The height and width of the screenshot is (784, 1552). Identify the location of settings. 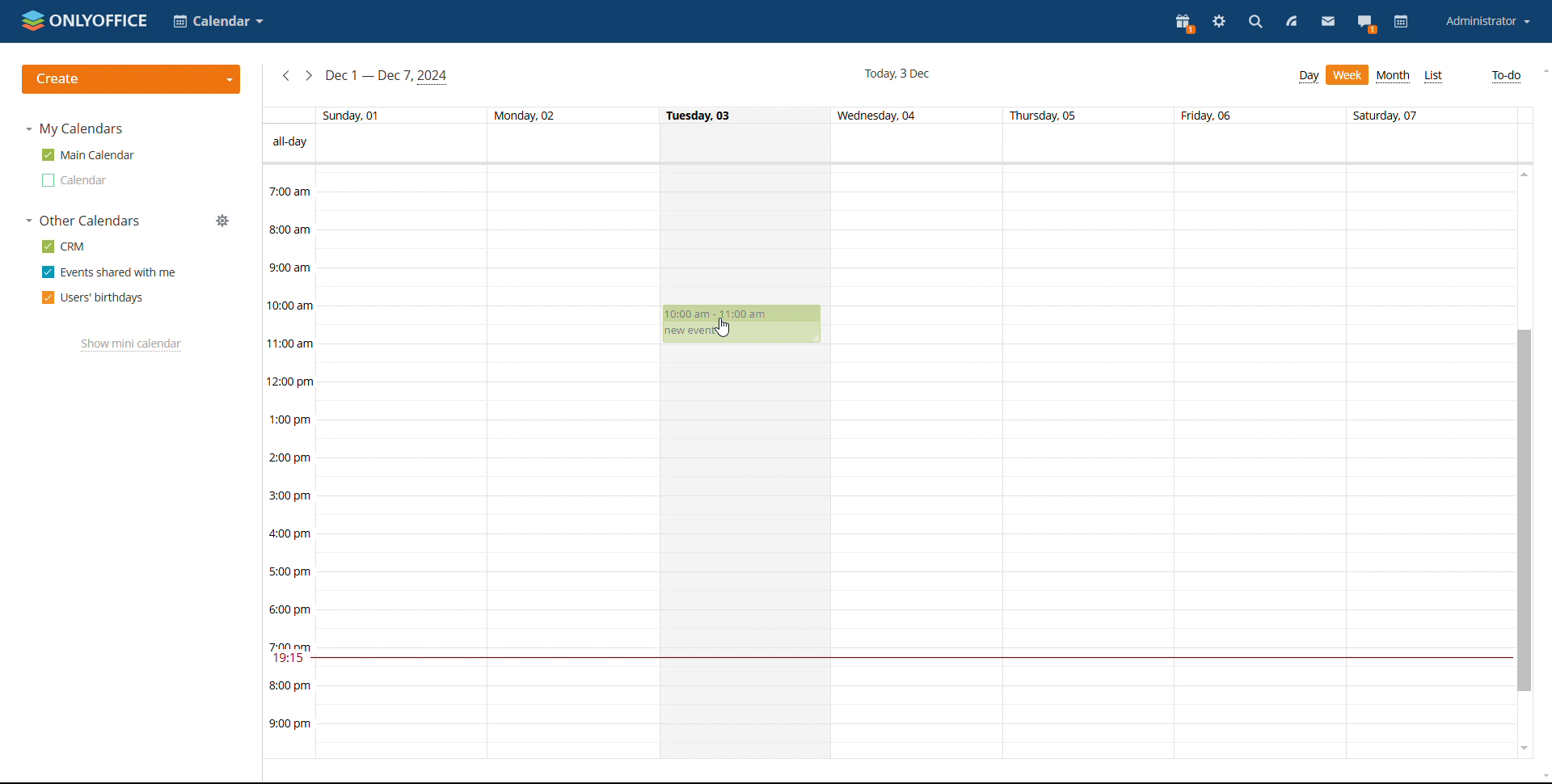
(1221, 22).